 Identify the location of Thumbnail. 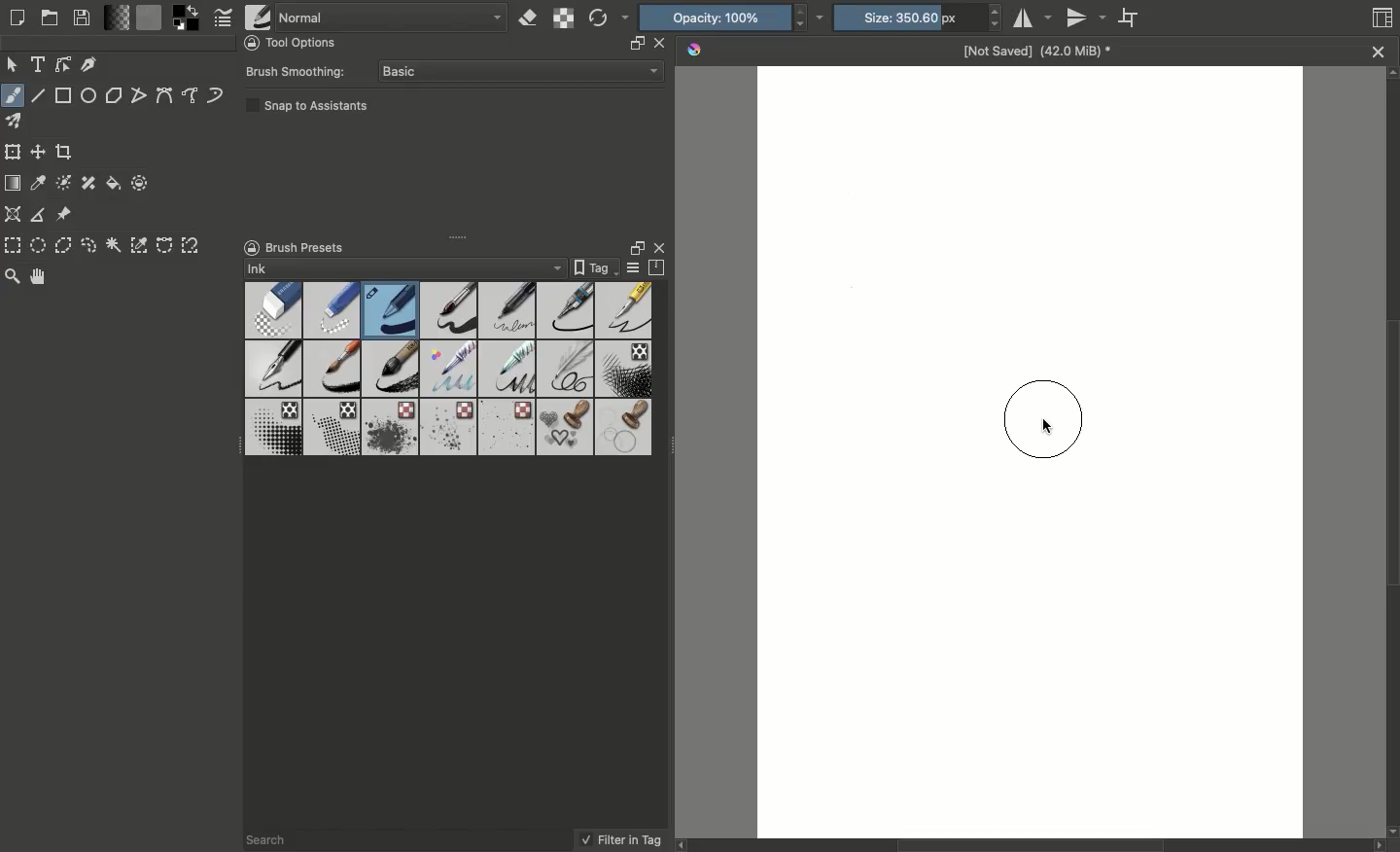
(1383, 19).